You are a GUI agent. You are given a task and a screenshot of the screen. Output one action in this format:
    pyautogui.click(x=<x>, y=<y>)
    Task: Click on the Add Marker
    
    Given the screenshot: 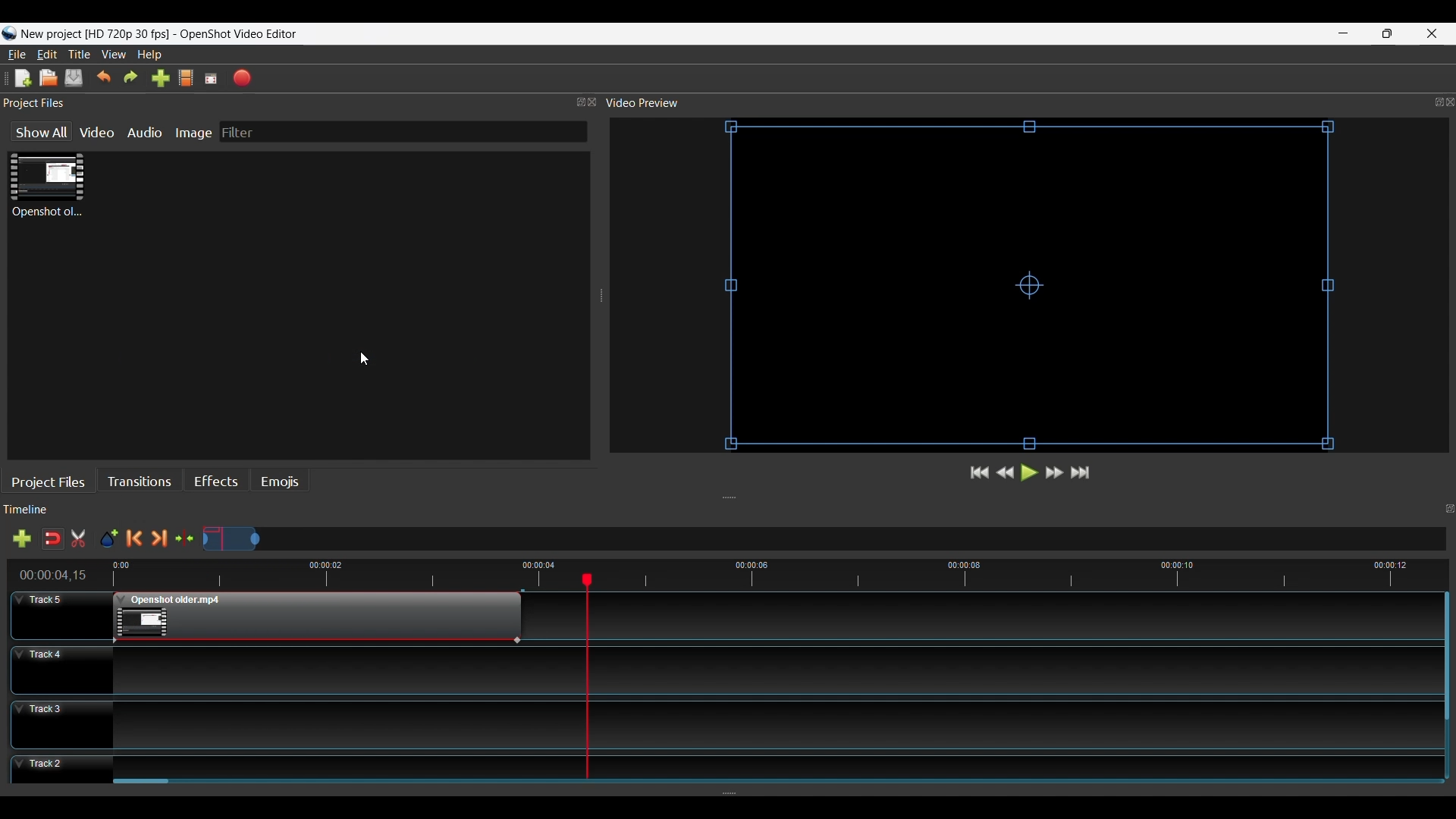 What is the action you would take?
    pyautogui.click(x=108, y=539)
    